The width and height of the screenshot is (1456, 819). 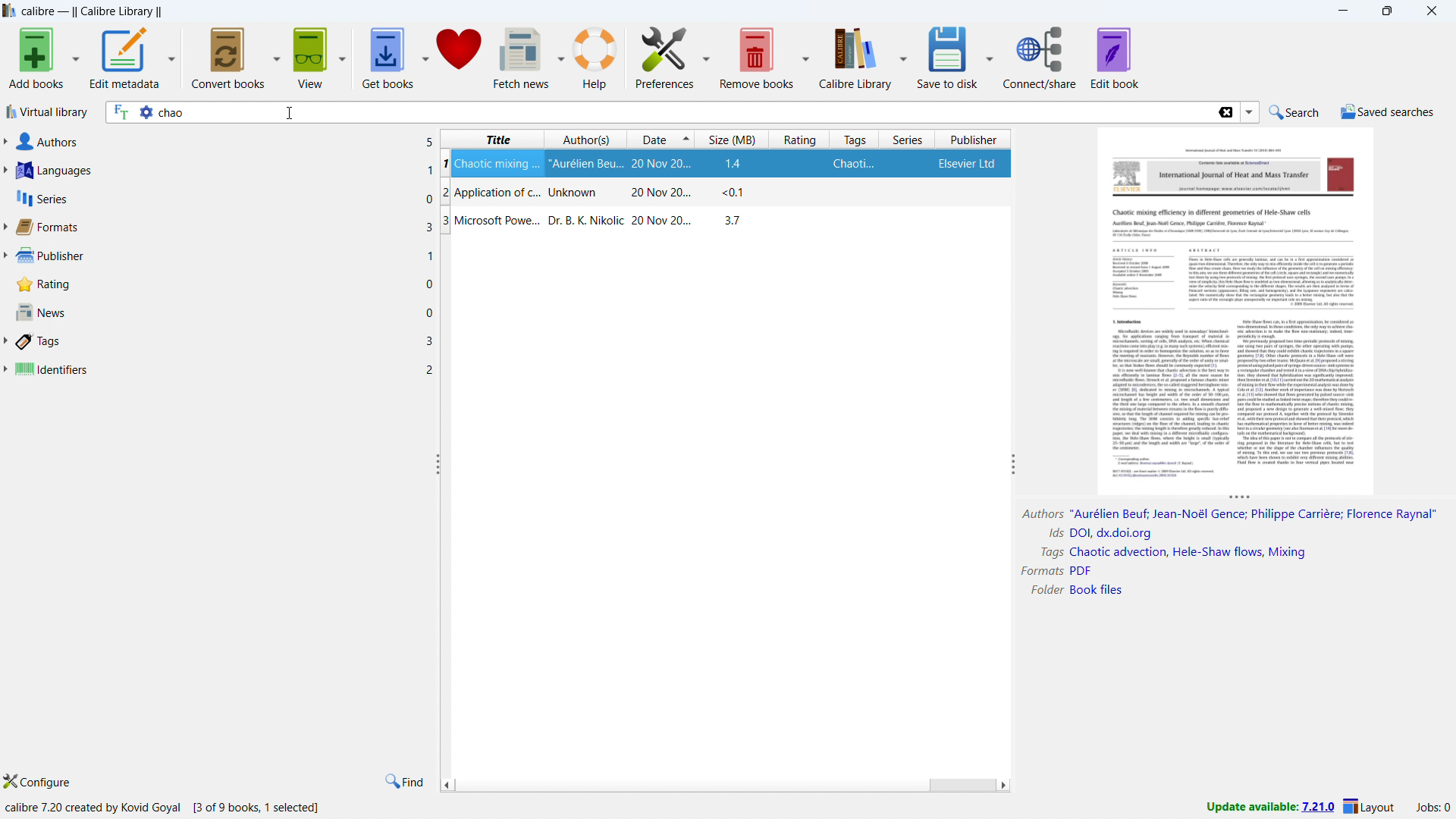 I want to click on , so click(x=460, y=56).